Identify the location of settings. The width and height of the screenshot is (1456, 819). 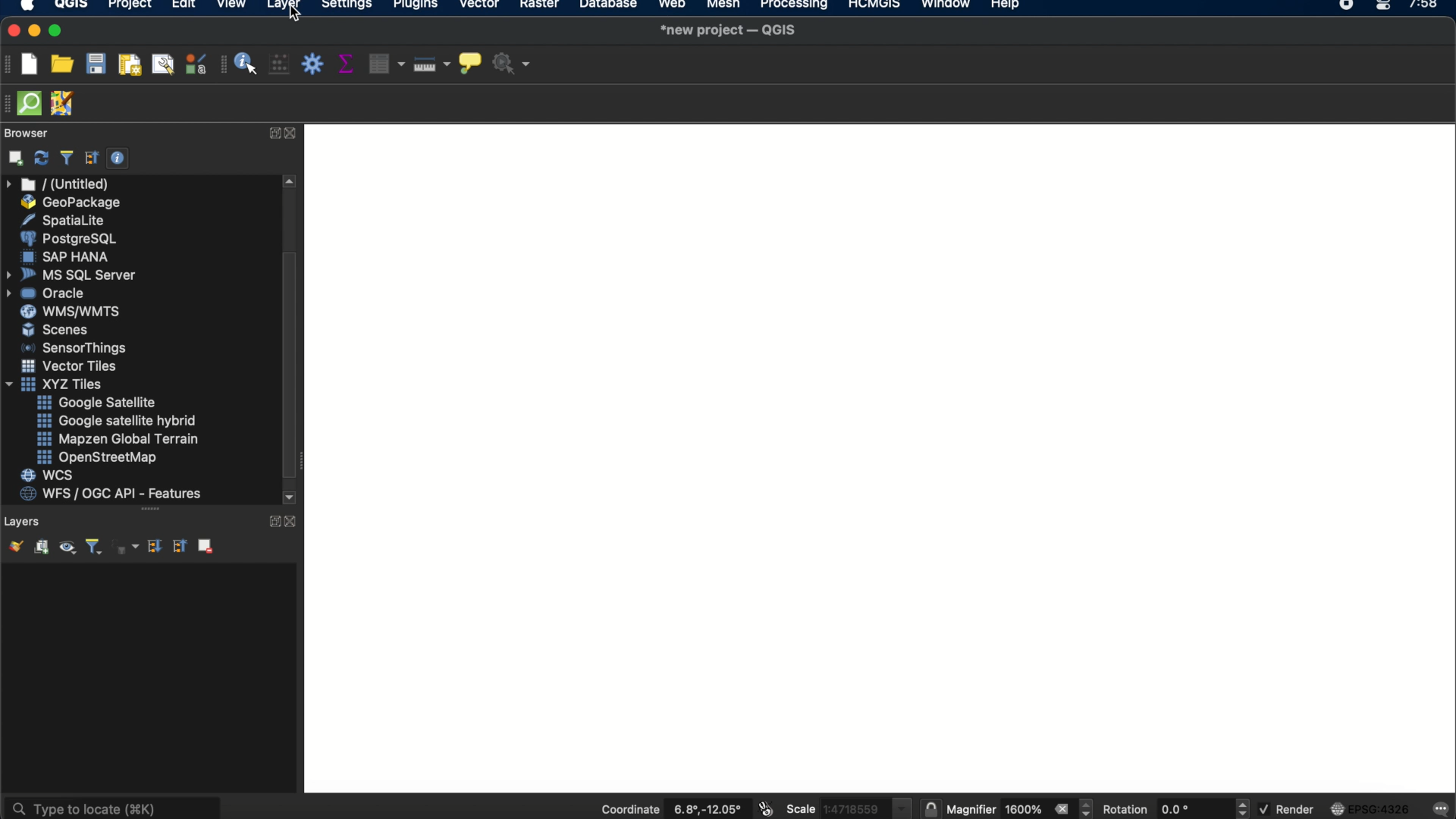
(346, 7).